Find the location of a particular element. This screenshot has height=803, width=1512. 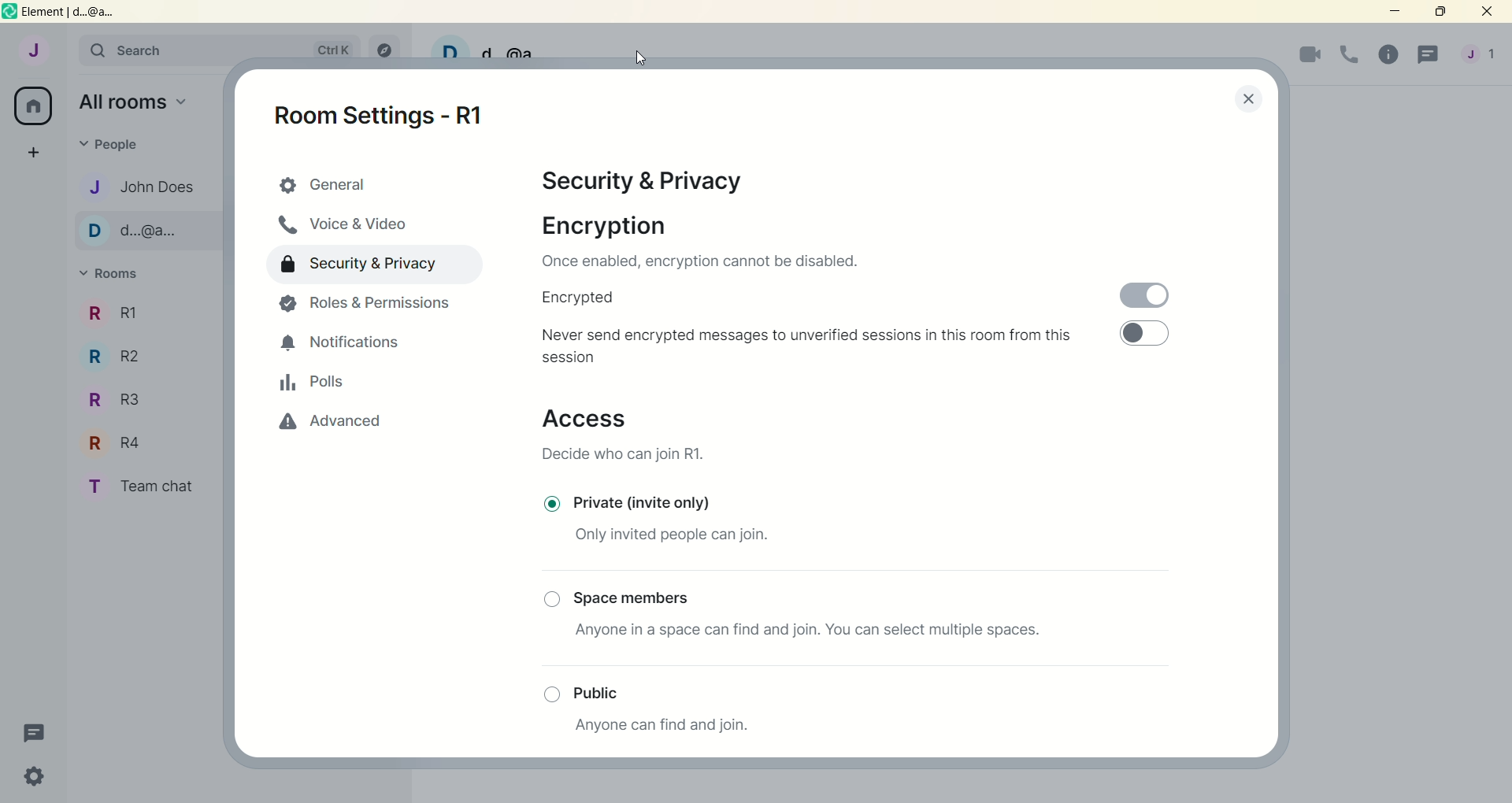

minimize is located at coordinates (1397, 13).